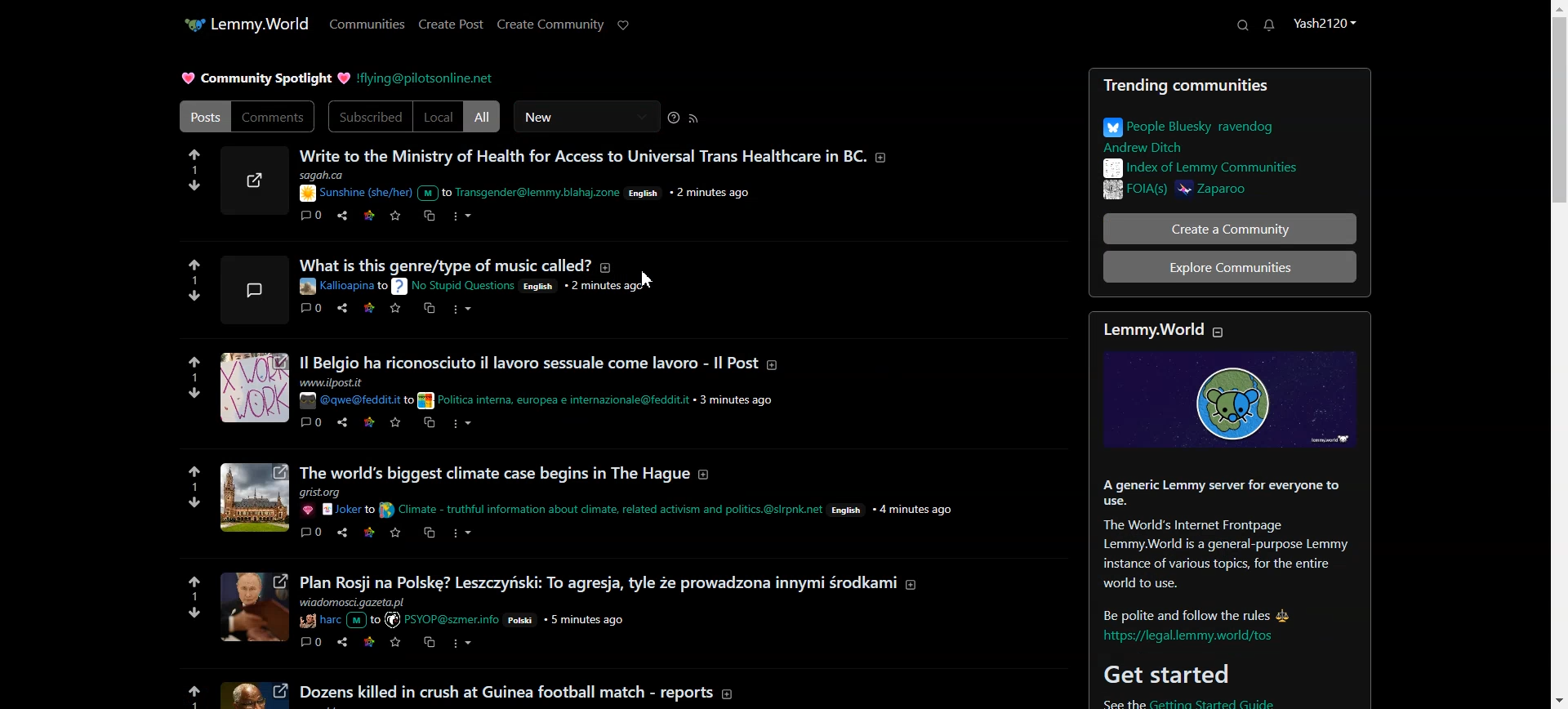 The height and width of the screenshot is (709, 1568). I want to click on 4 minutes, so click(915, 507).